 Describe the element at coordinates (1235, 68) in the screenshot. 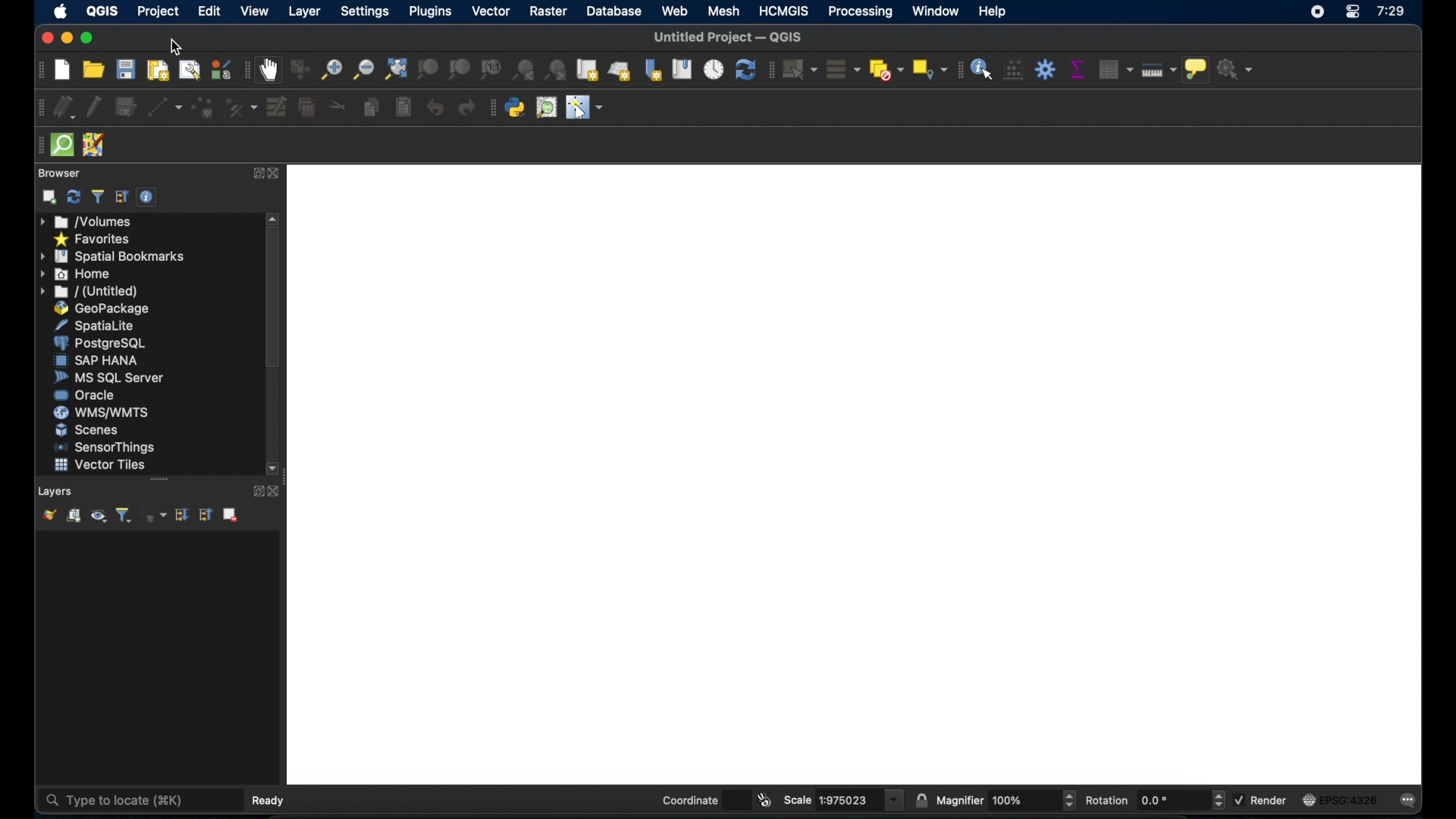

I see `no action selected` at that location.